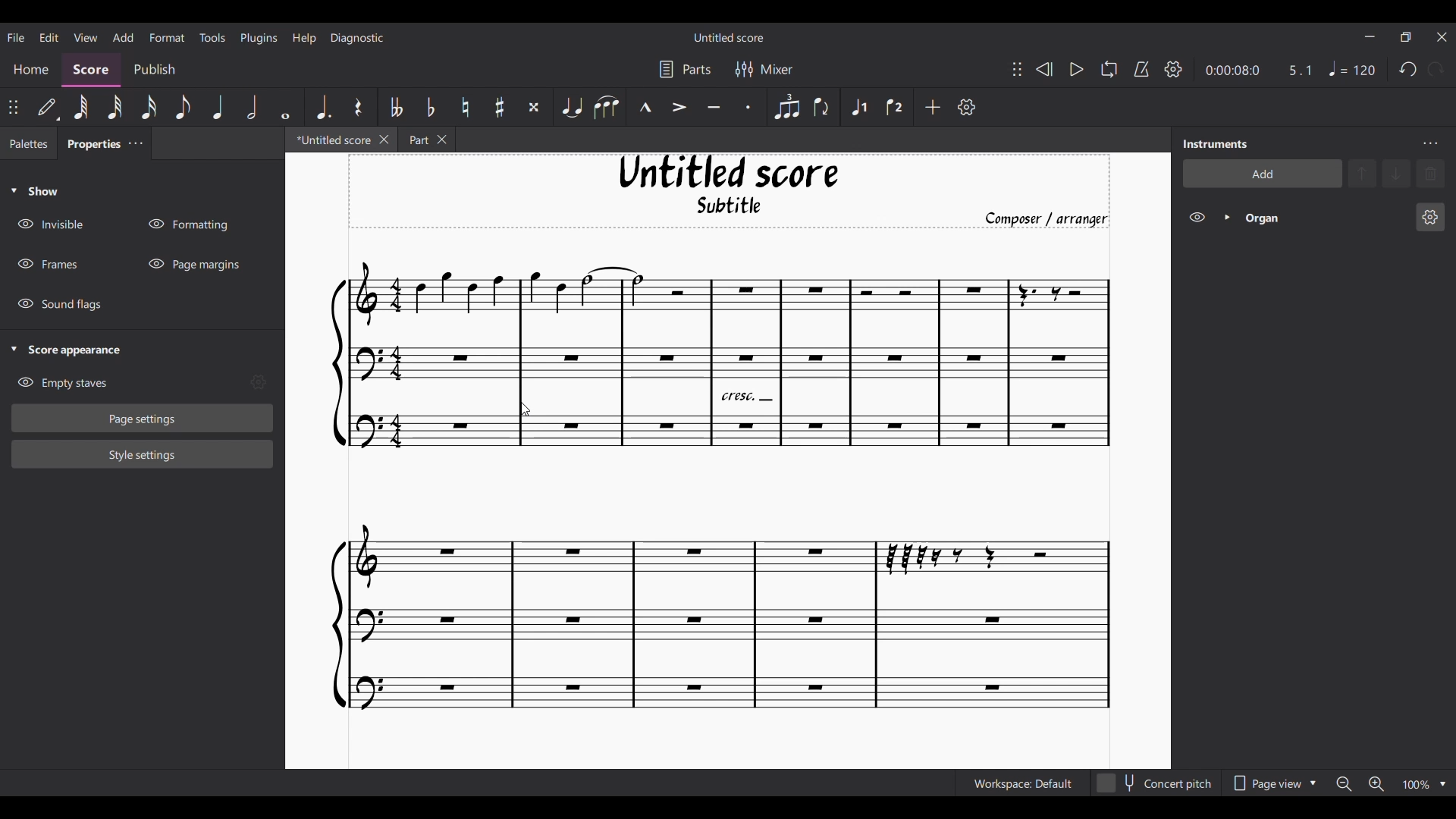  I want to click on Untitled Score, so click(729, 172).